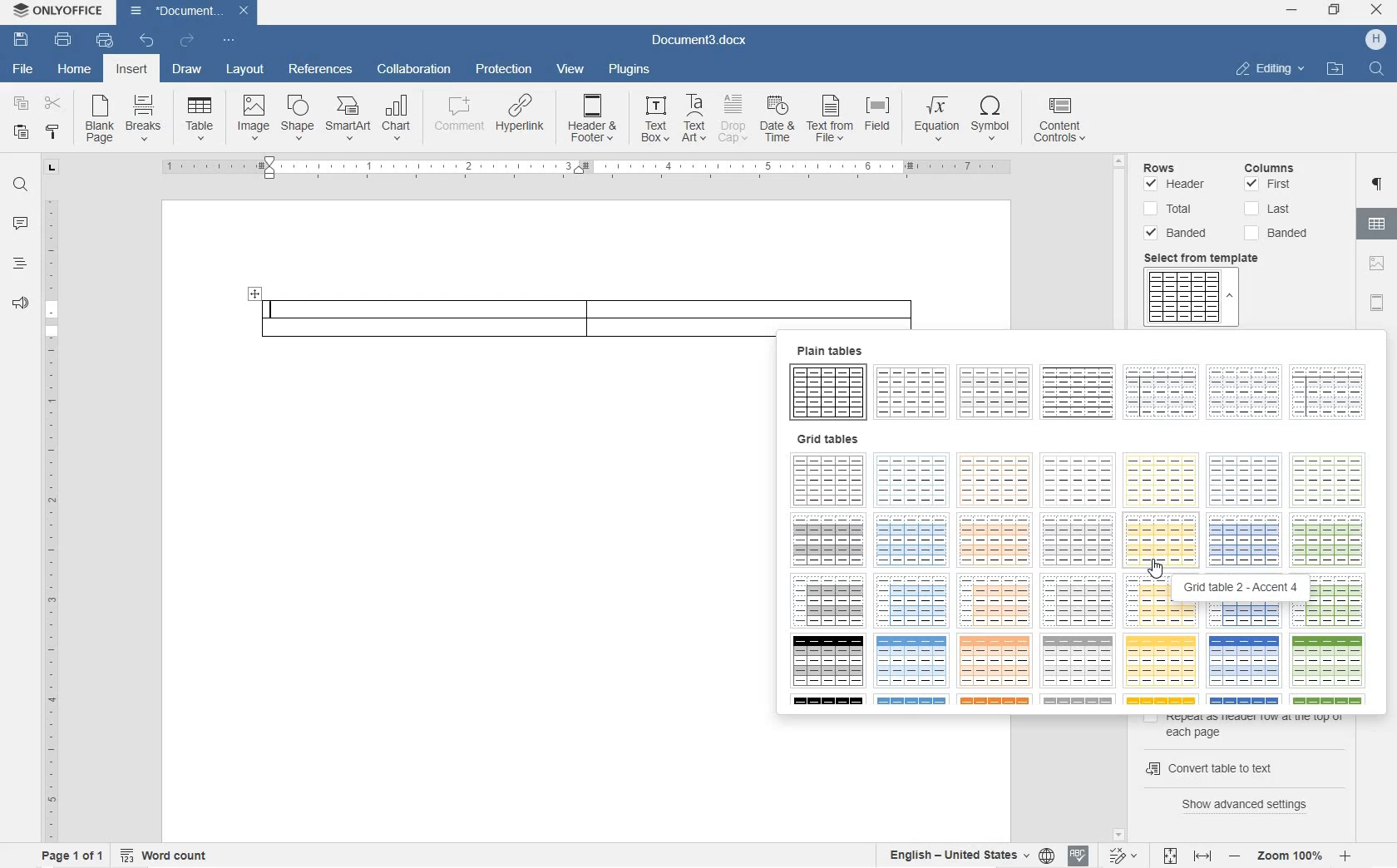 This screenshot has width=1397, height=868. What do you see at coordinates (650, 119) in the screenshot?
I see `TextBox` at bounding box center [650, 119].